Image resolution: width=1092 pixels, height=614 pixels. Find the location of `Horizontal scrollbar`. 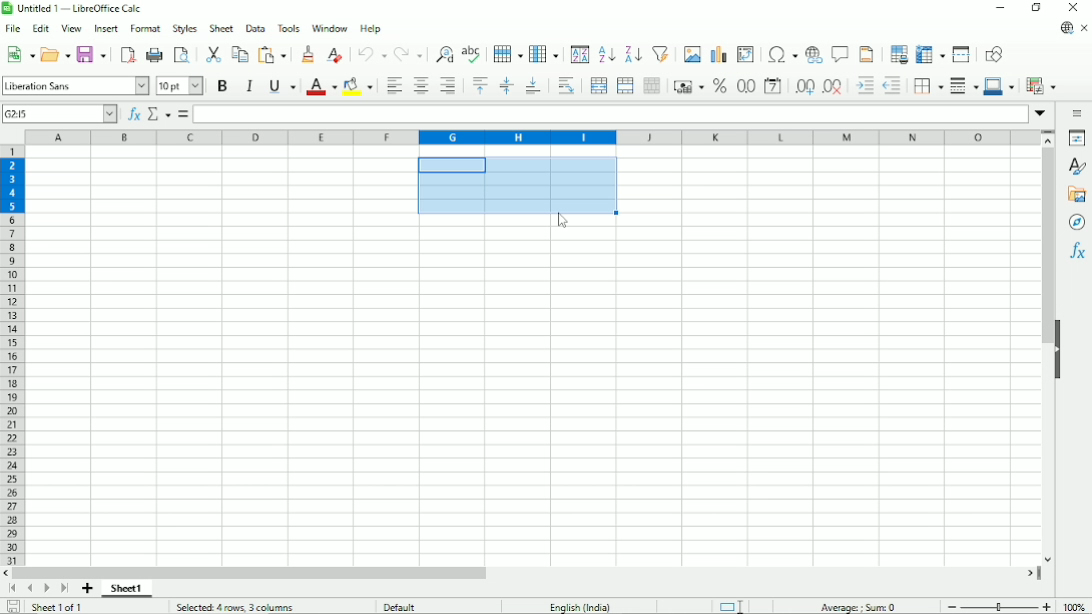

Horizontal scrollbar is located at coordinates (251, 573).